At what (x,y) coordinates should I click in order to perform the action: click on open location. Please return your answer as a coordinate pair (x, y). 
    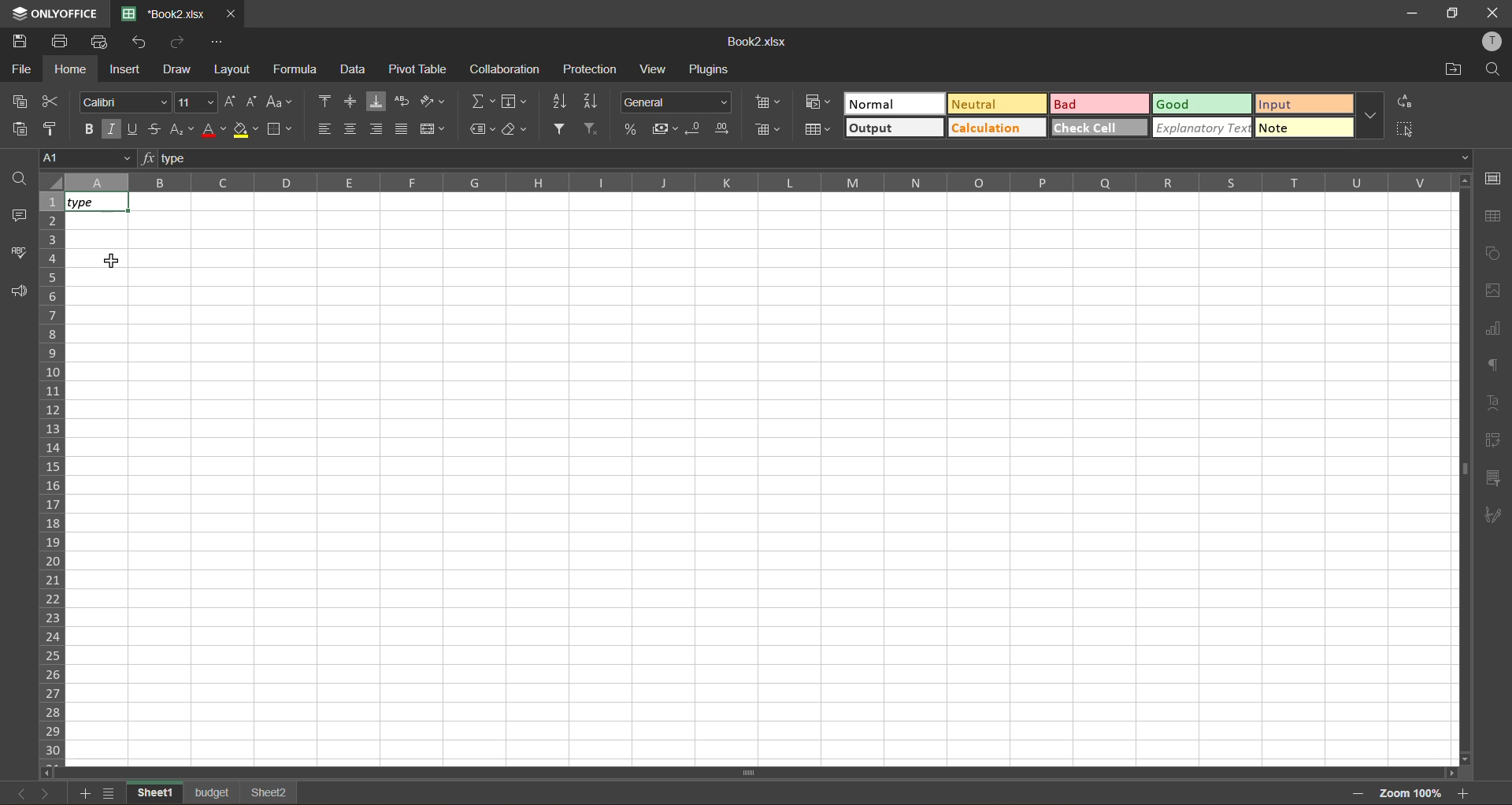
    Looking at the image, I should click on (1455, 68).